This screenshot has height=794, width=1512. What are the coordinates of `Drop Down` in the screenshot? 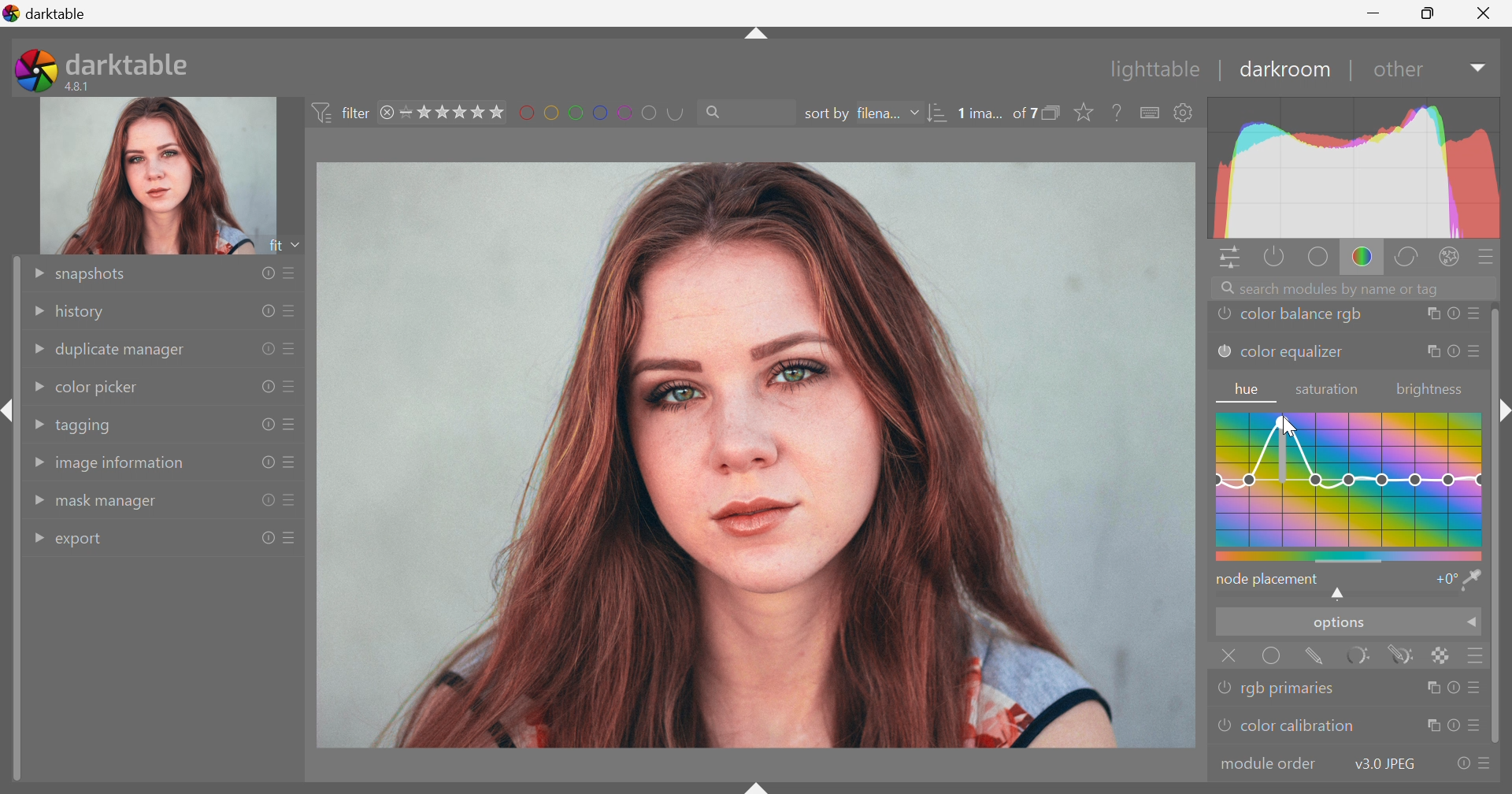 It's located at (36, 351).